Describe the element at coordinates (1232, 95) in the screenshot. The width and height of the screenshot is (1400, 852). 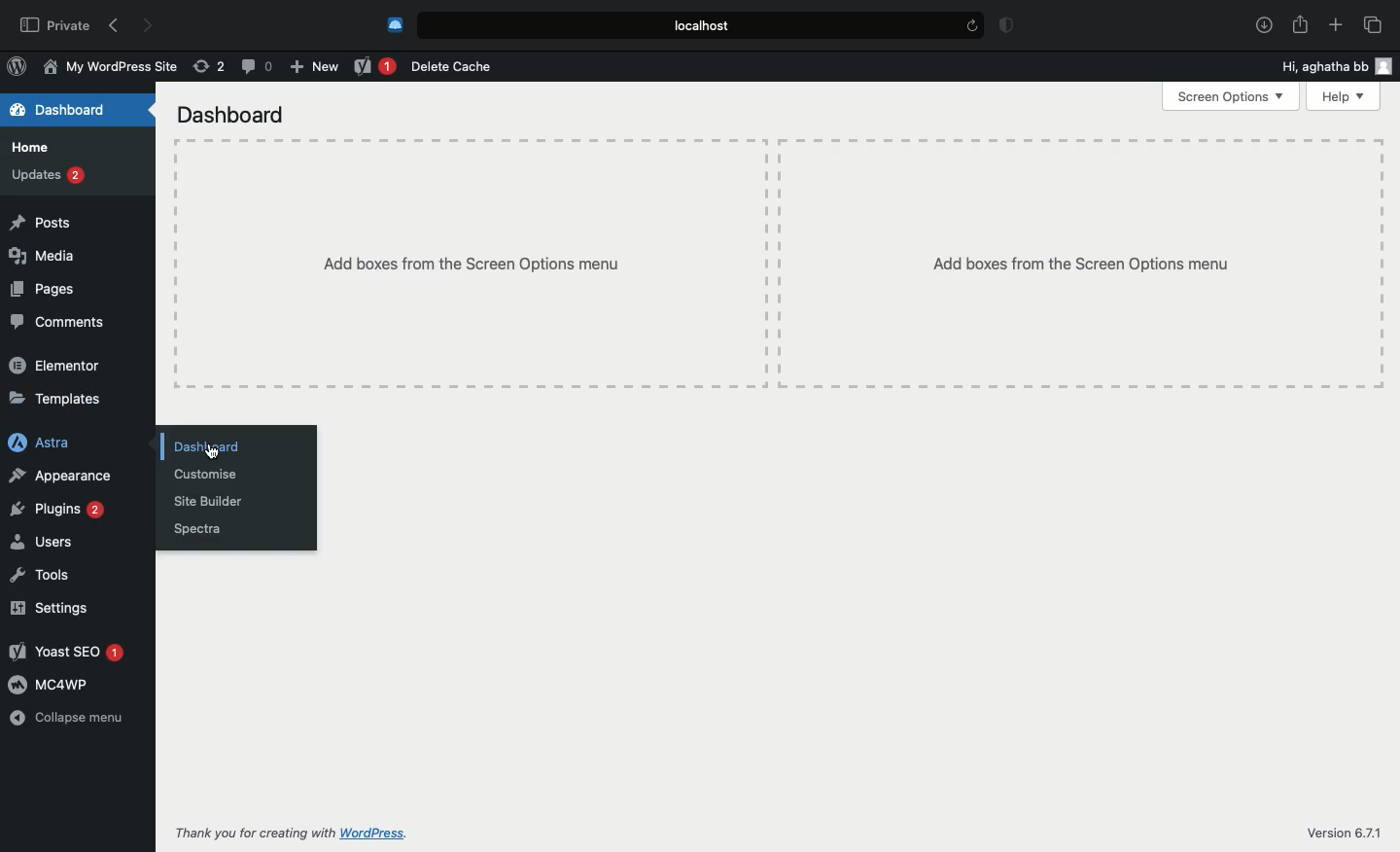
I see `Screen options` at that location.